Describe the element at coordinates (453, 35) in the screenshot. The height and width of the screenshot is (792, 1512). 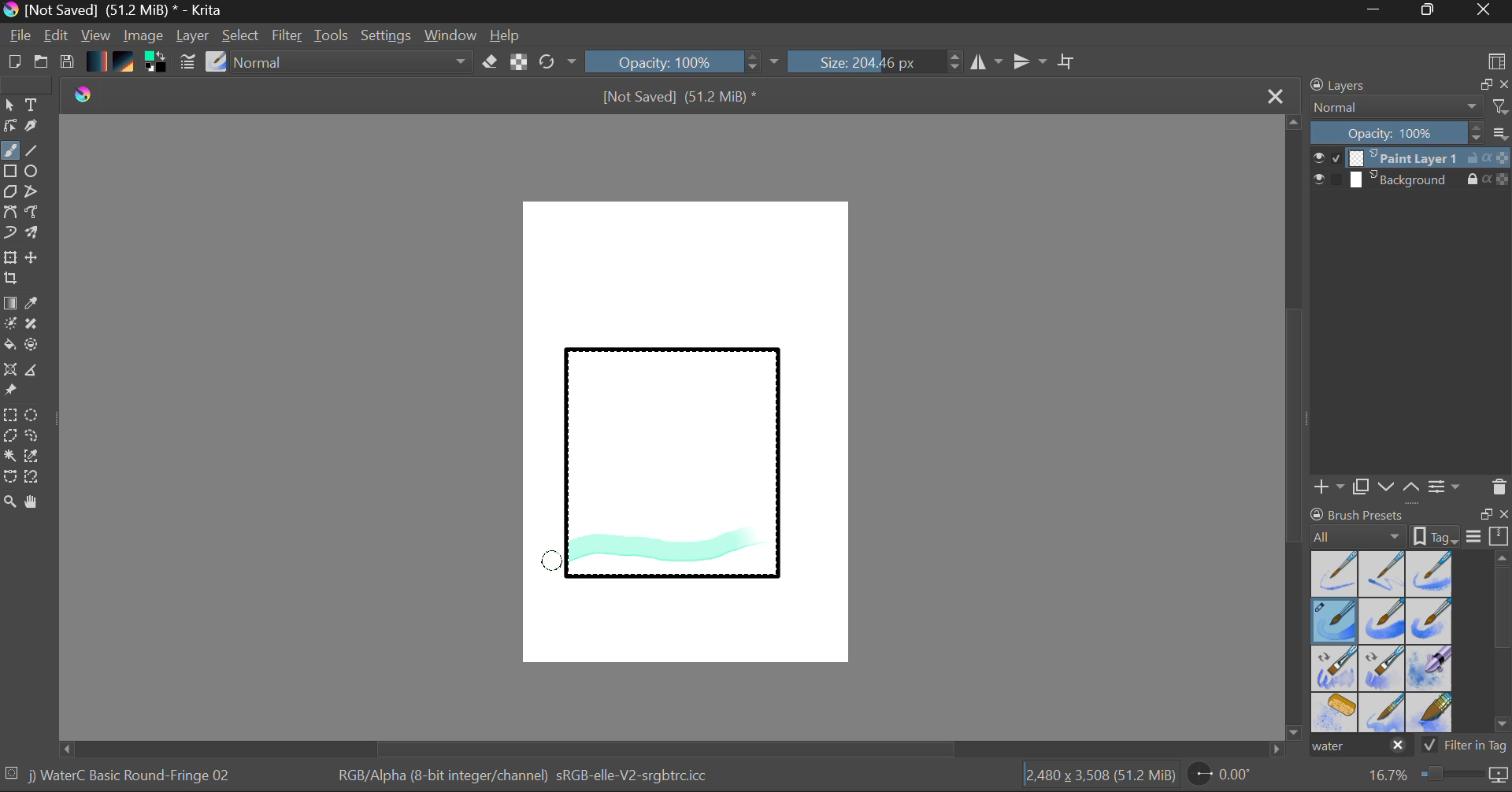
I see `Window` at that location.